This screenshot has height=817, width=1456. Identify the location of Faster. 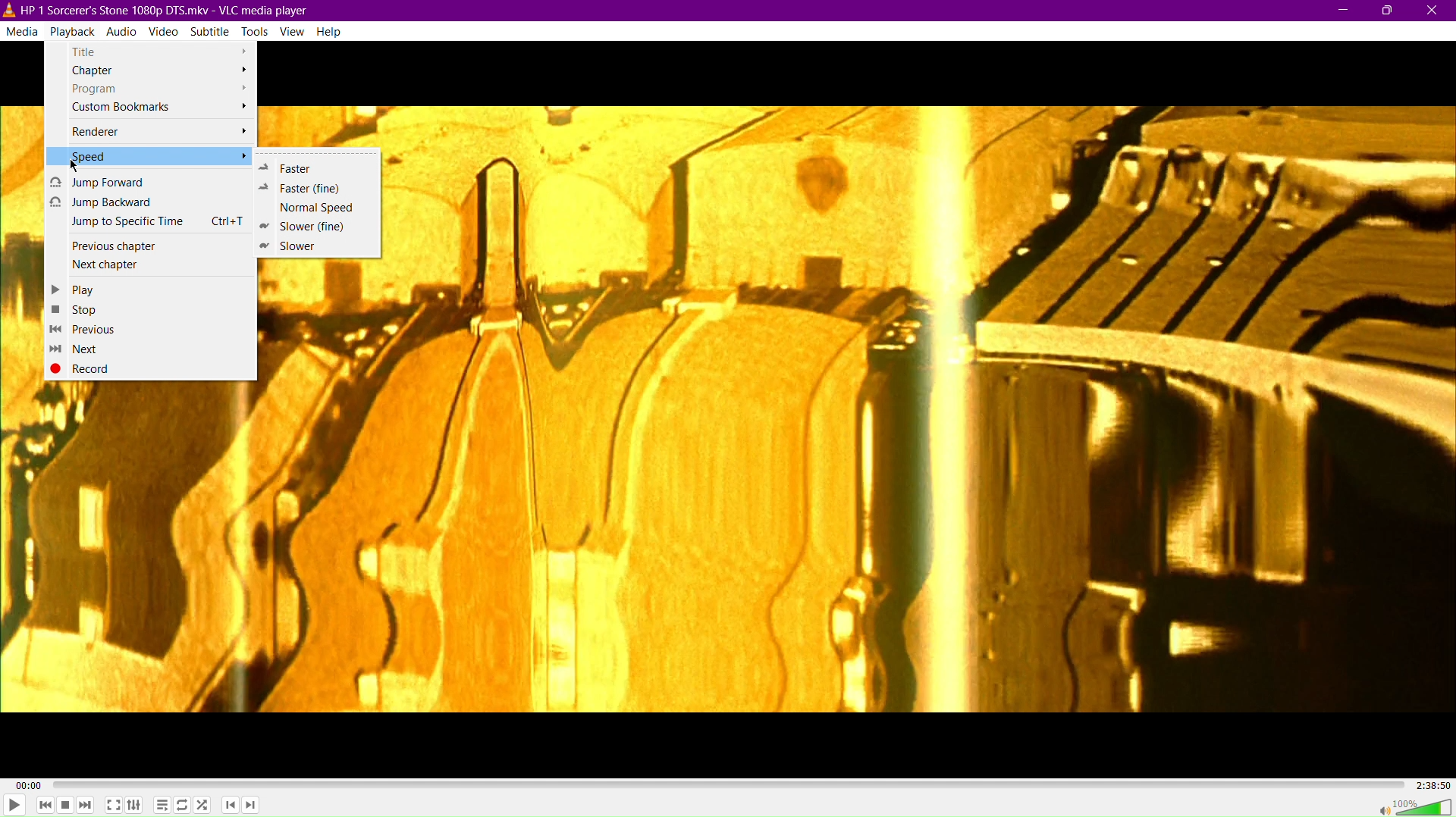
(311, 165).